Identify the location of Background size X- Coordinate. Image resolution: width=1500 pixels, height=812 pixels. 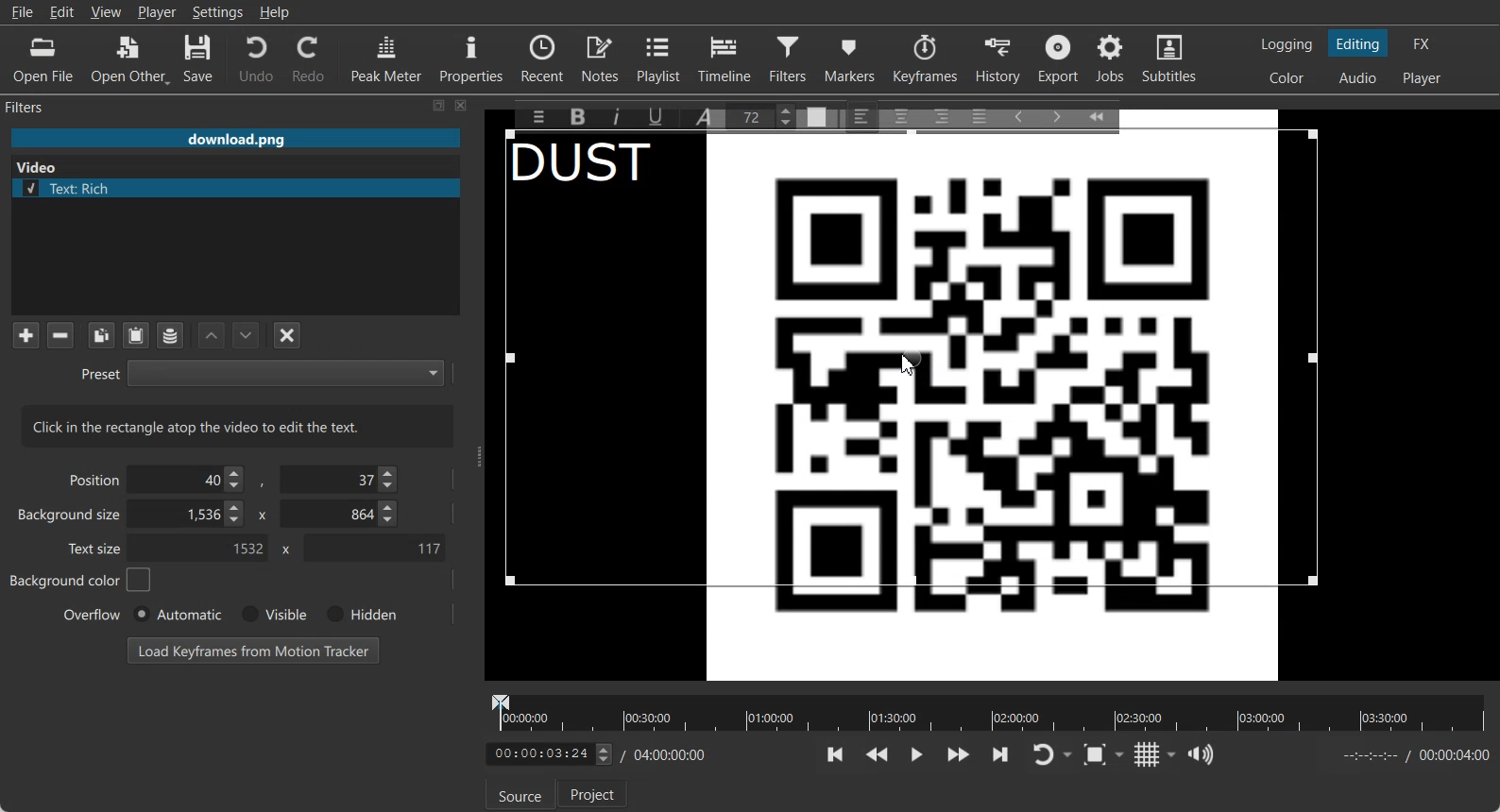
(190, 516).